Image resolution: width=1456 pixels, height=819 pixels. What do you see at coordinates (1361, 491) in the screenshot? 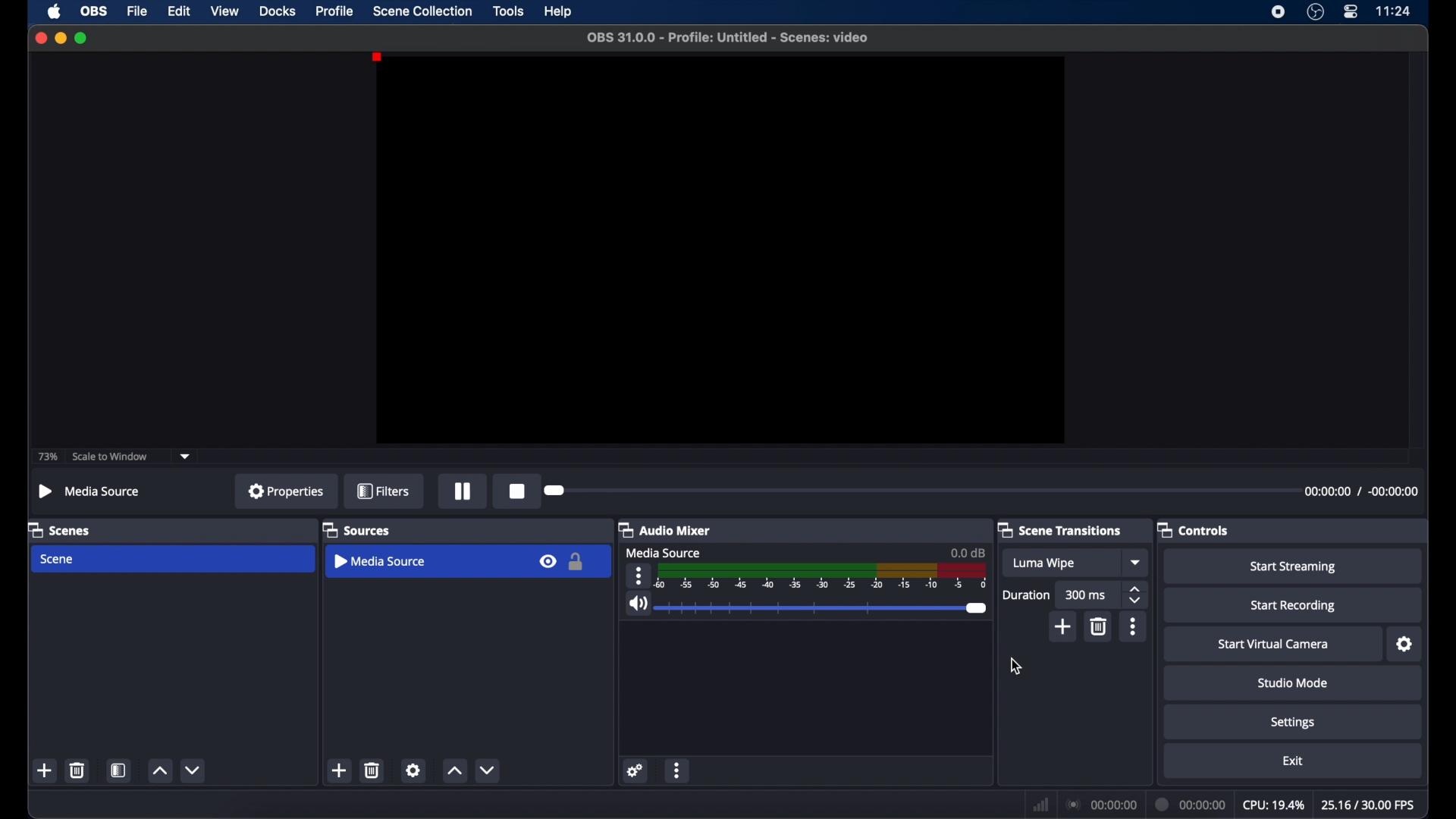
I see `time stamp` at bounding box center [1361, 491].